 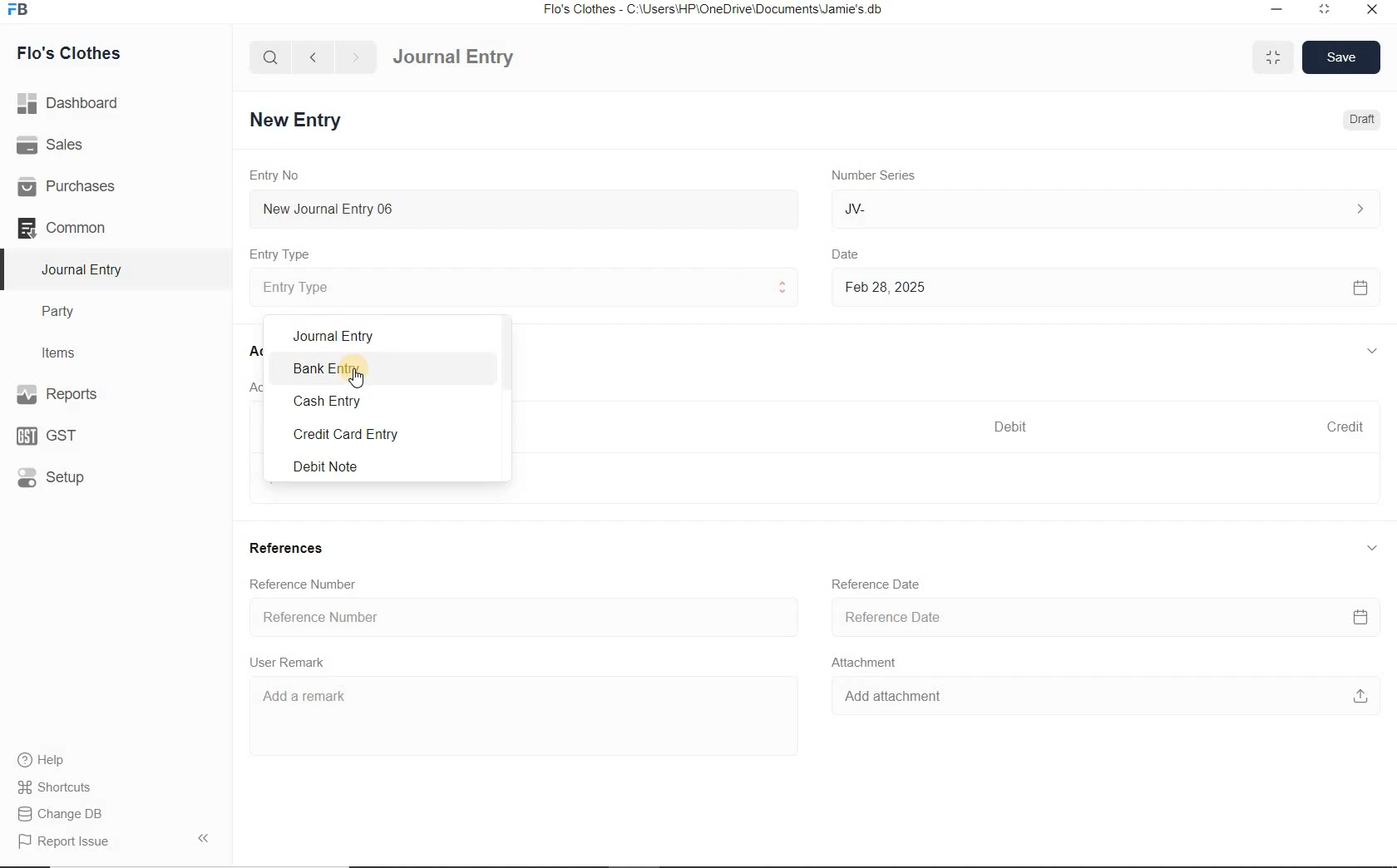 I want to click on Setup, so click(x=67, y=476).